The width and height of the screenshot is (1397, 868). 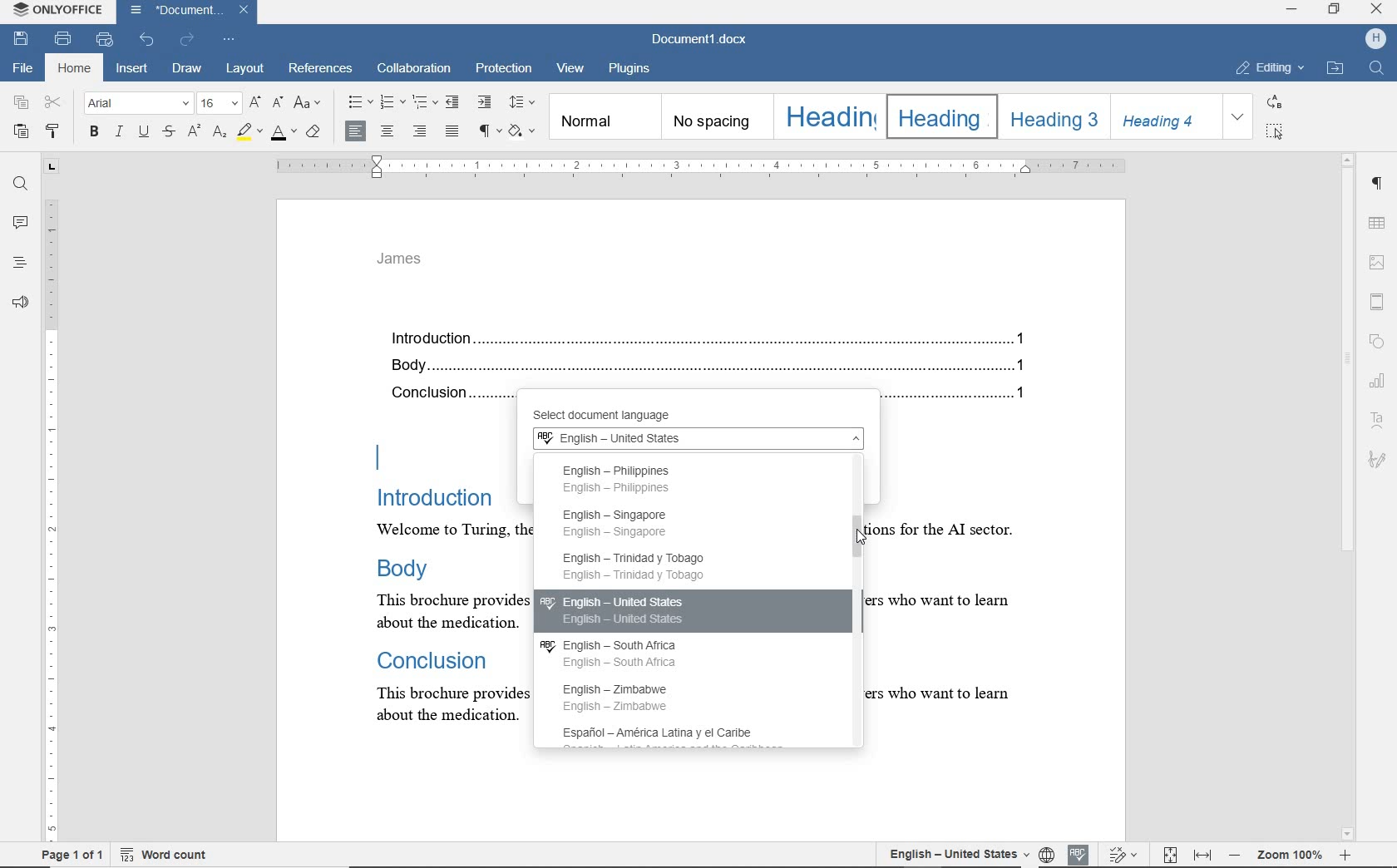 What do you see at coordinates (699, 166) in the screenshot?
I see `ruler` at bounding box center [699, 166].